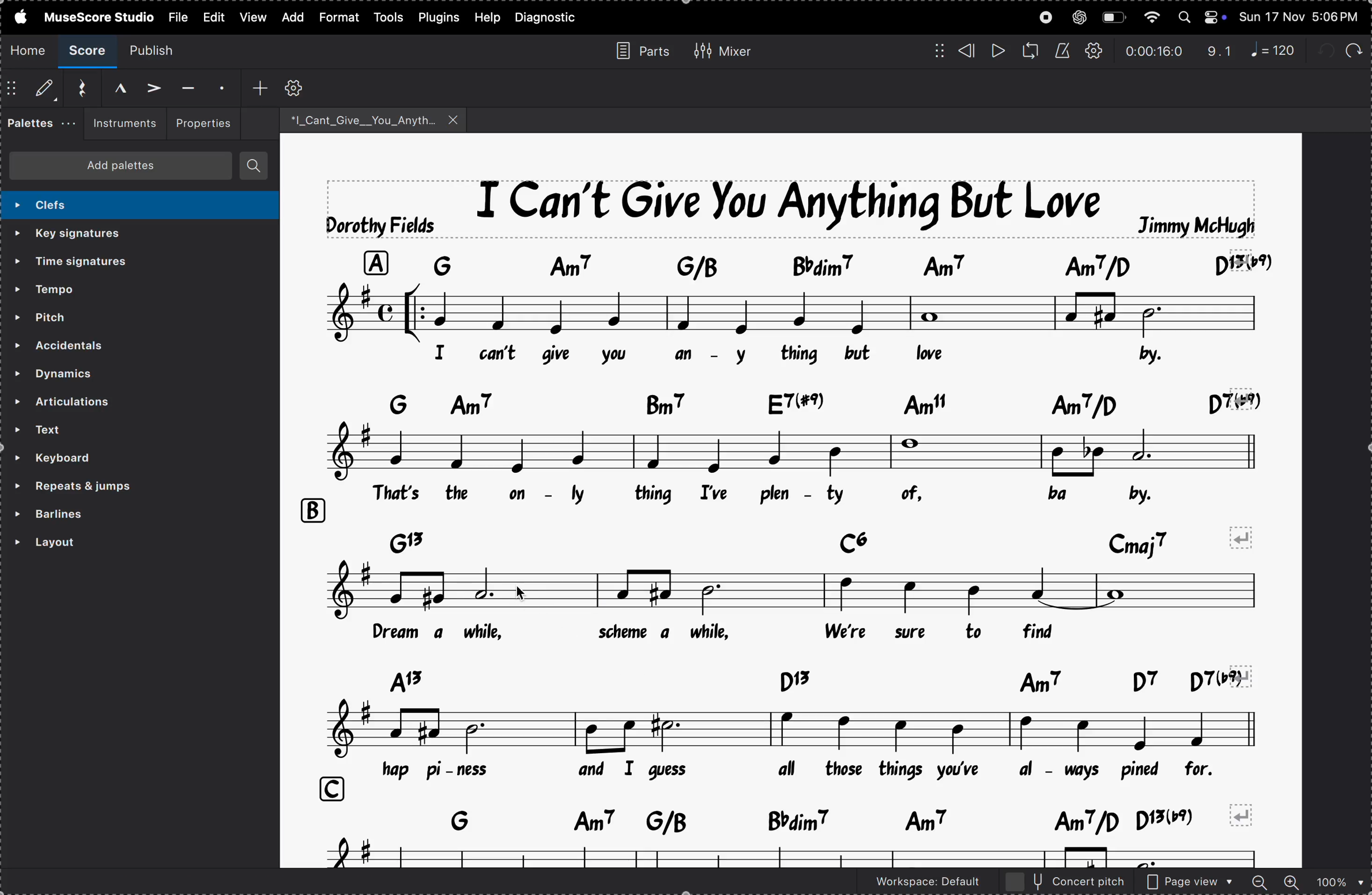 The height and width of the screenshot is (895, 1372). What do you see at coordinates (824, 539) in the screenshot?
I see `key notes` at bounding box center [824, 539].